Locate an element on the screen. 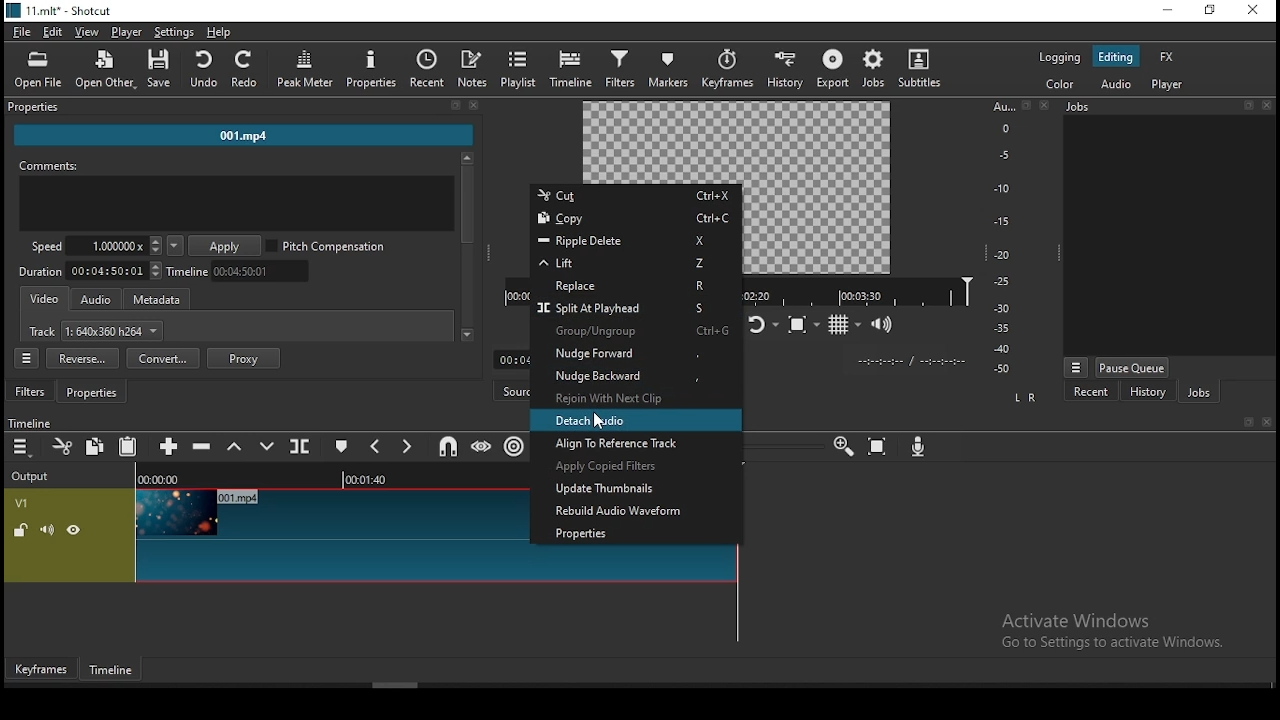 The image size is (1280, 720). jobs is located at coordinates (1169, 106).